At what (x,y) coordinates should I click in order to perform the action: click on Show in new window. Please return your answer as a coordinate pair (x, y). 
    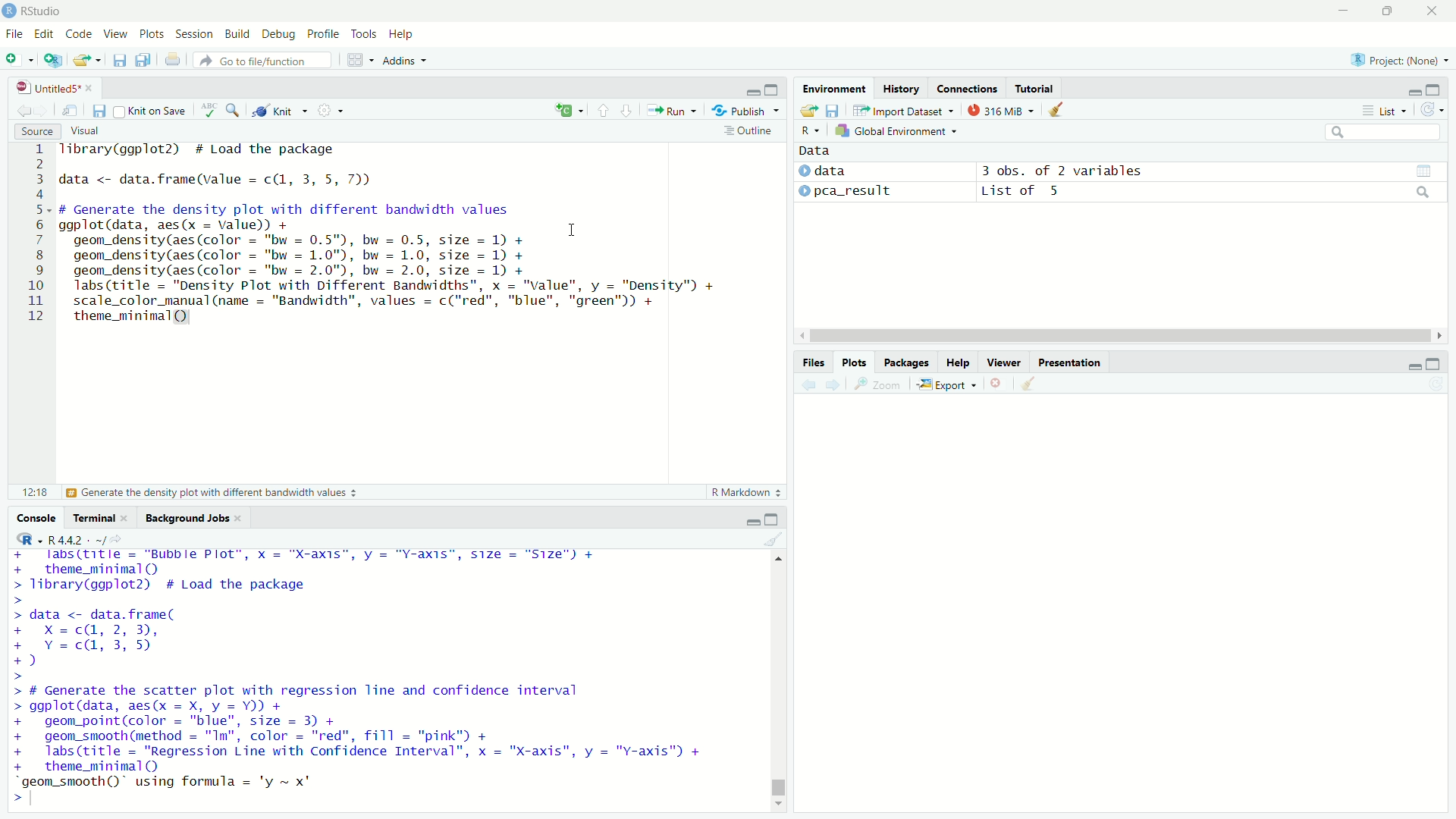
    Looking at the image, I should click on (70, 110).